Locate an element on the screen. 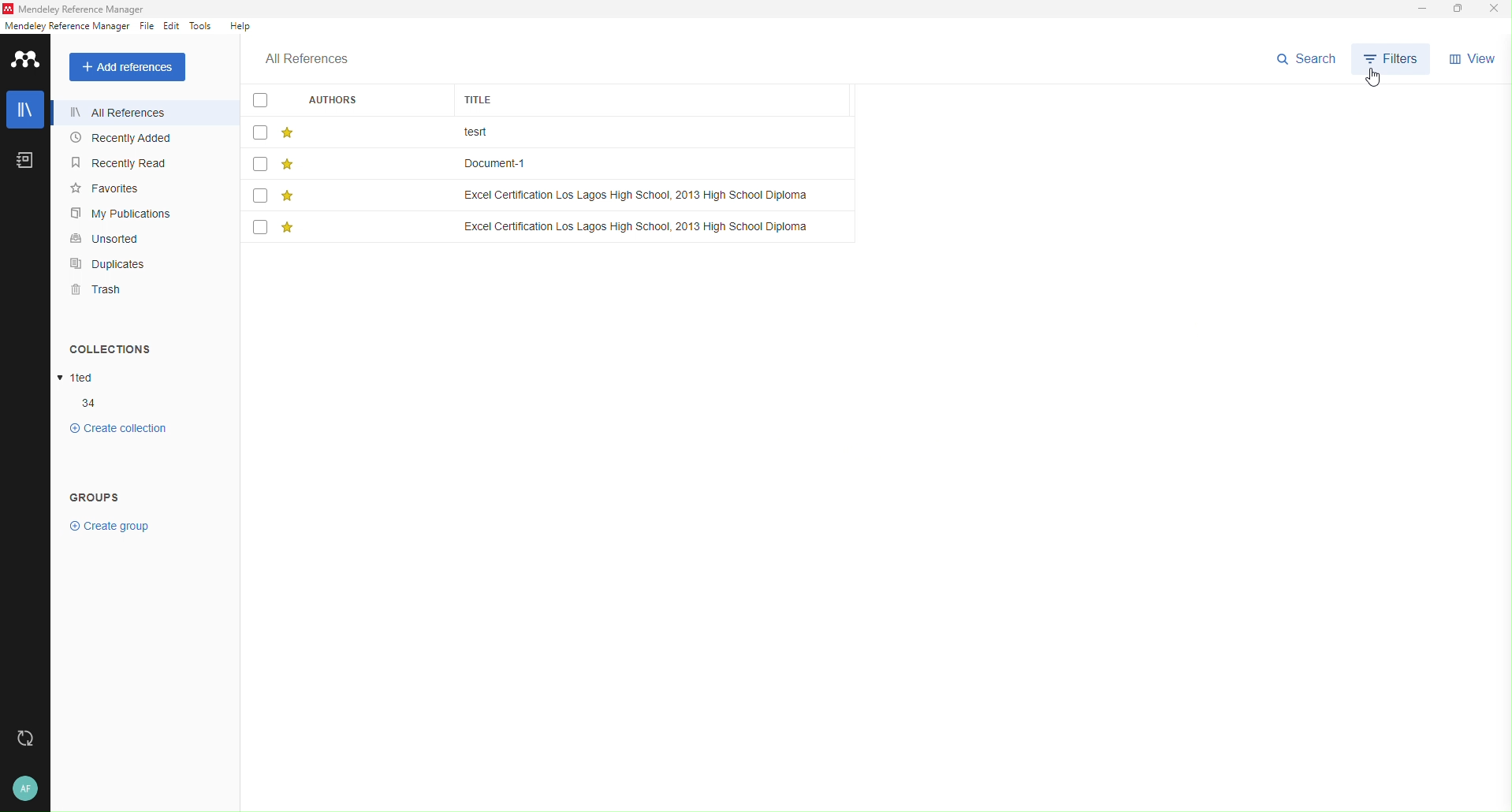  checkbox is located at coordinates (262, 226).